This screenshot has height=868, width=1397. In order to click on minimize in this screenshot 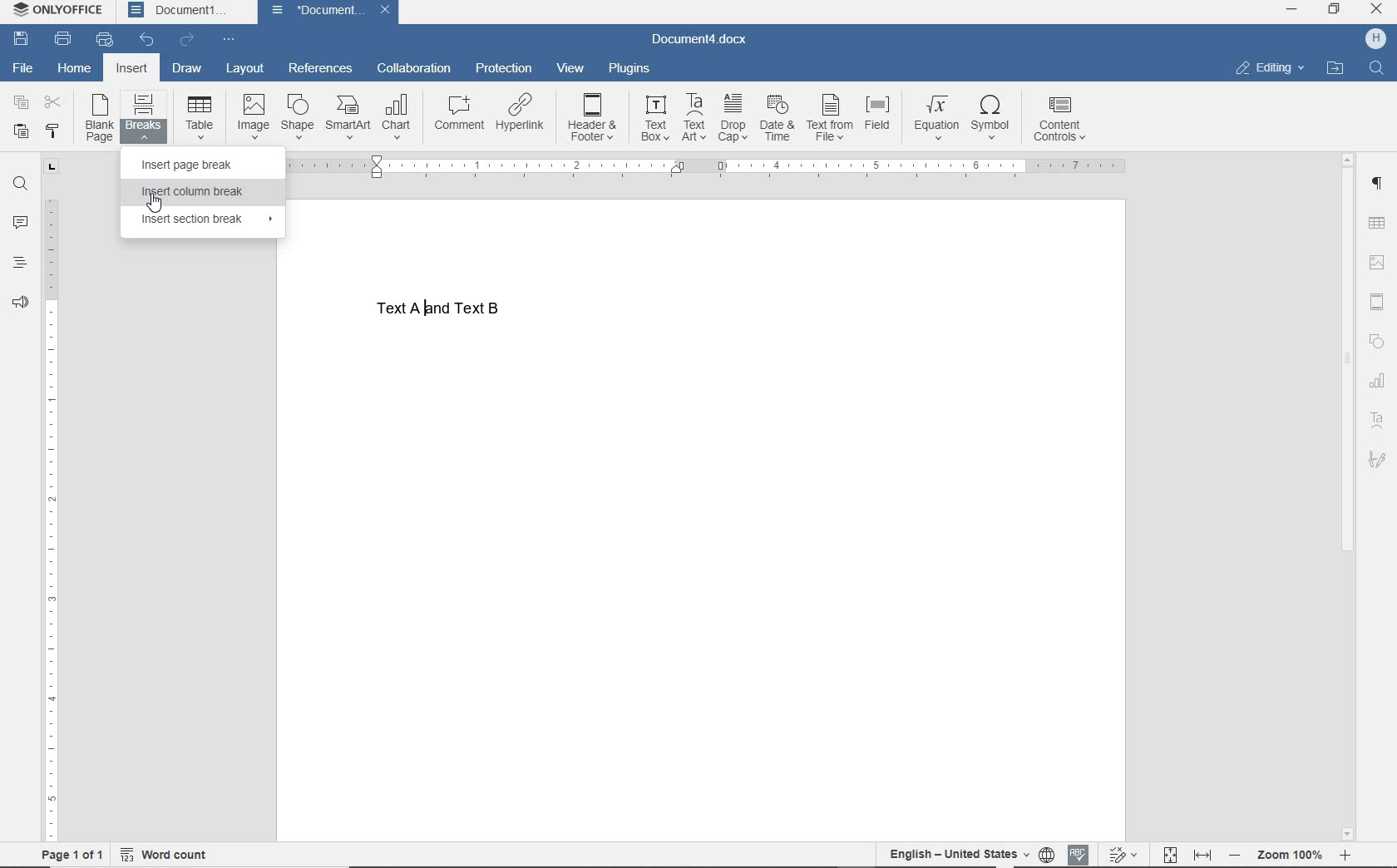, I will do `click(1291, 11)`.